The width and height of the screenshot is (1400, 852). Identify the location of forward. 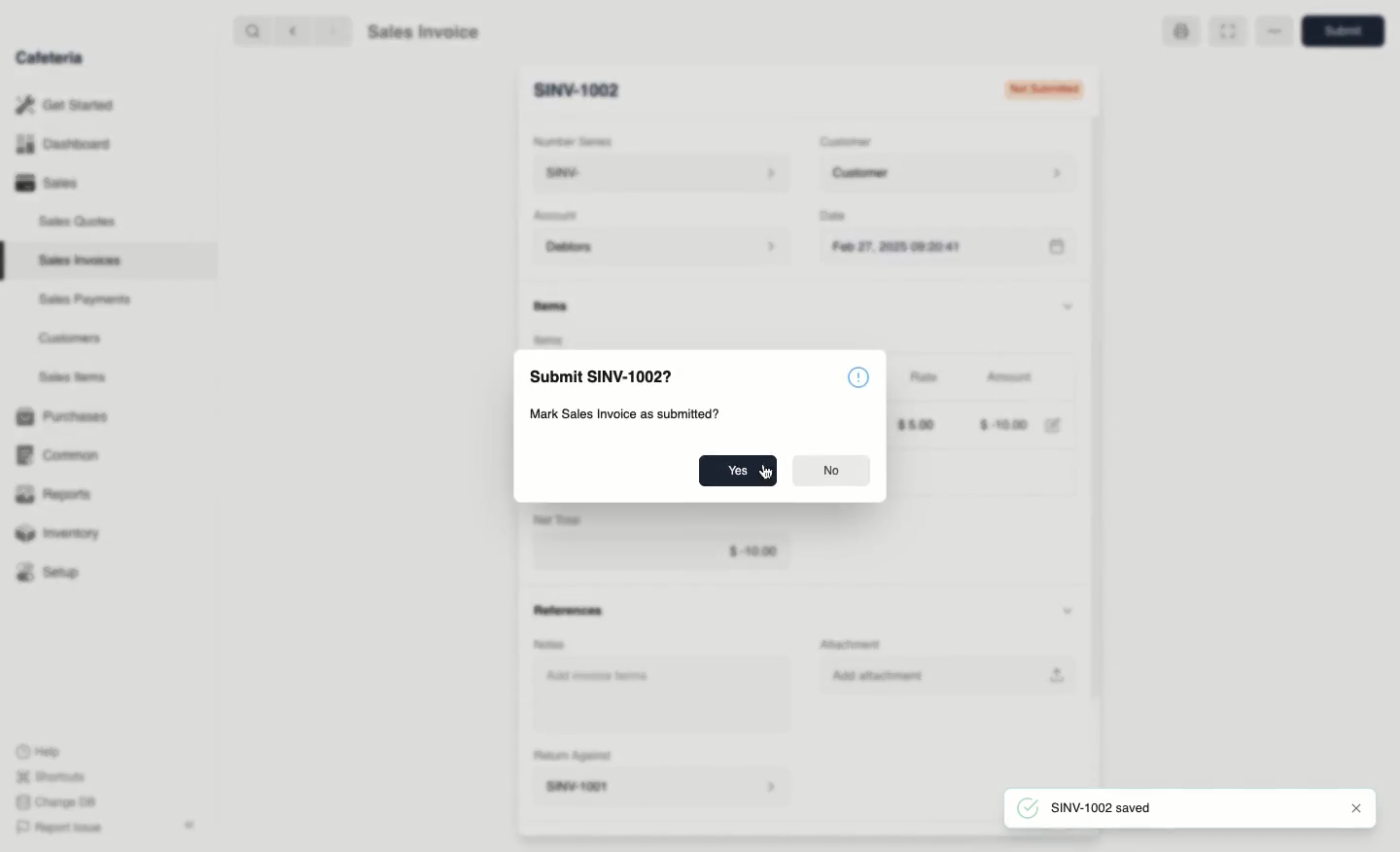
(334, 31).